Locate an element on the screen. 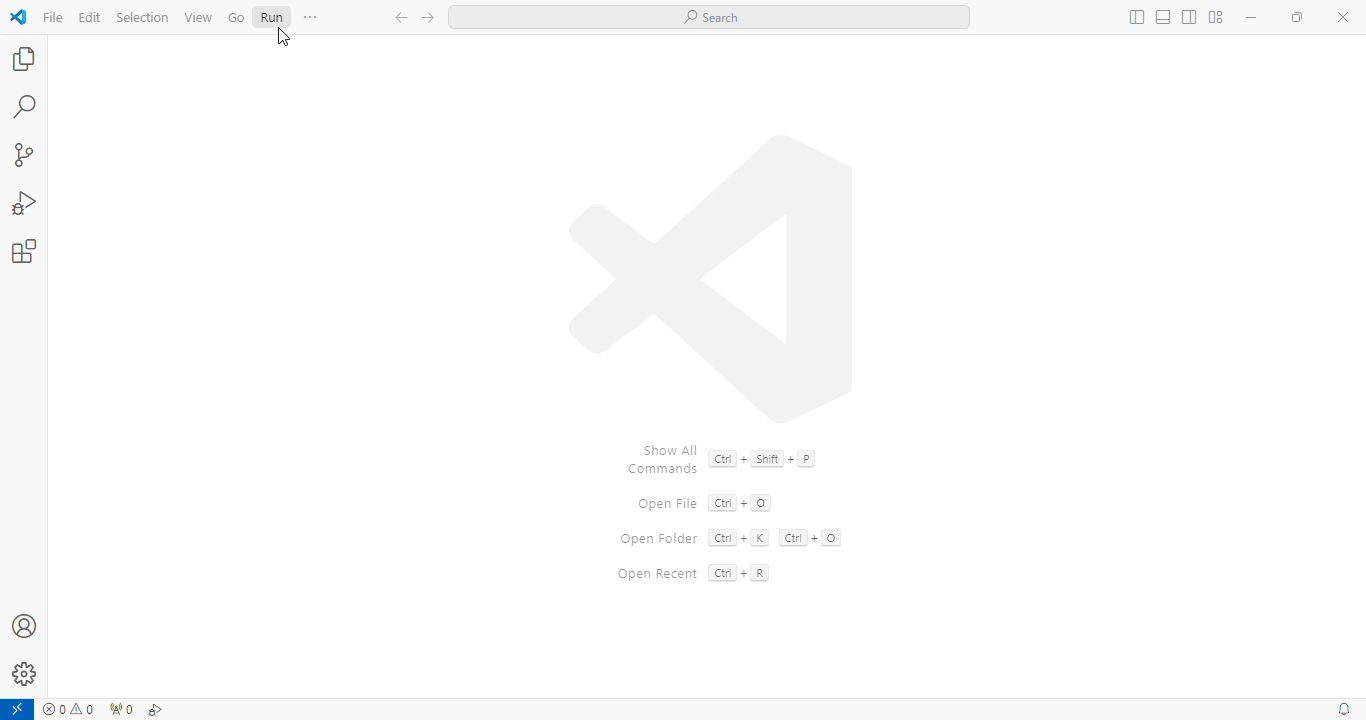 This screenshot has width=1366, height=720. view is located at coordinates (199, 18).